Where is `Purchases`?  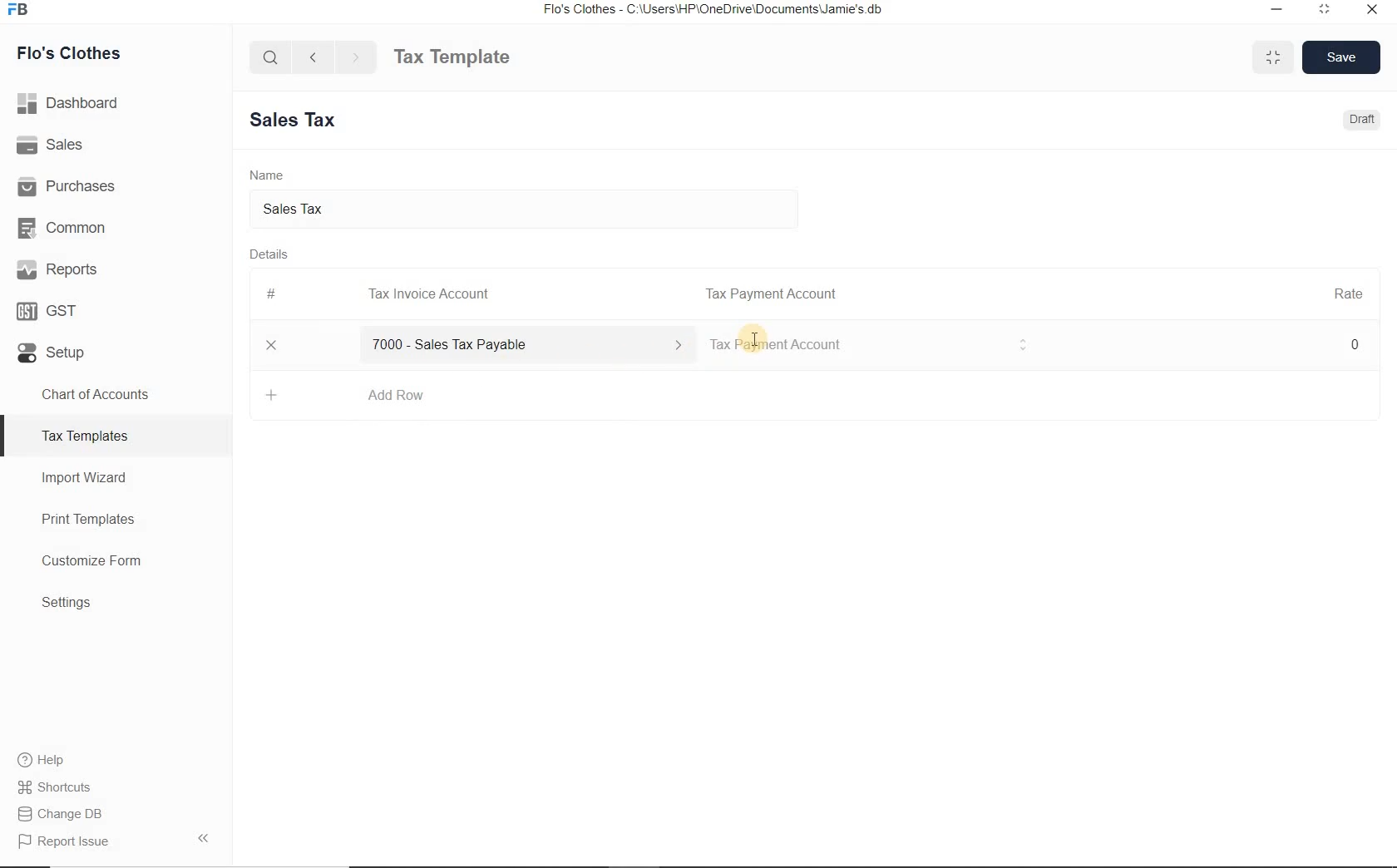
Purchases is located at coordinates (116, 184).